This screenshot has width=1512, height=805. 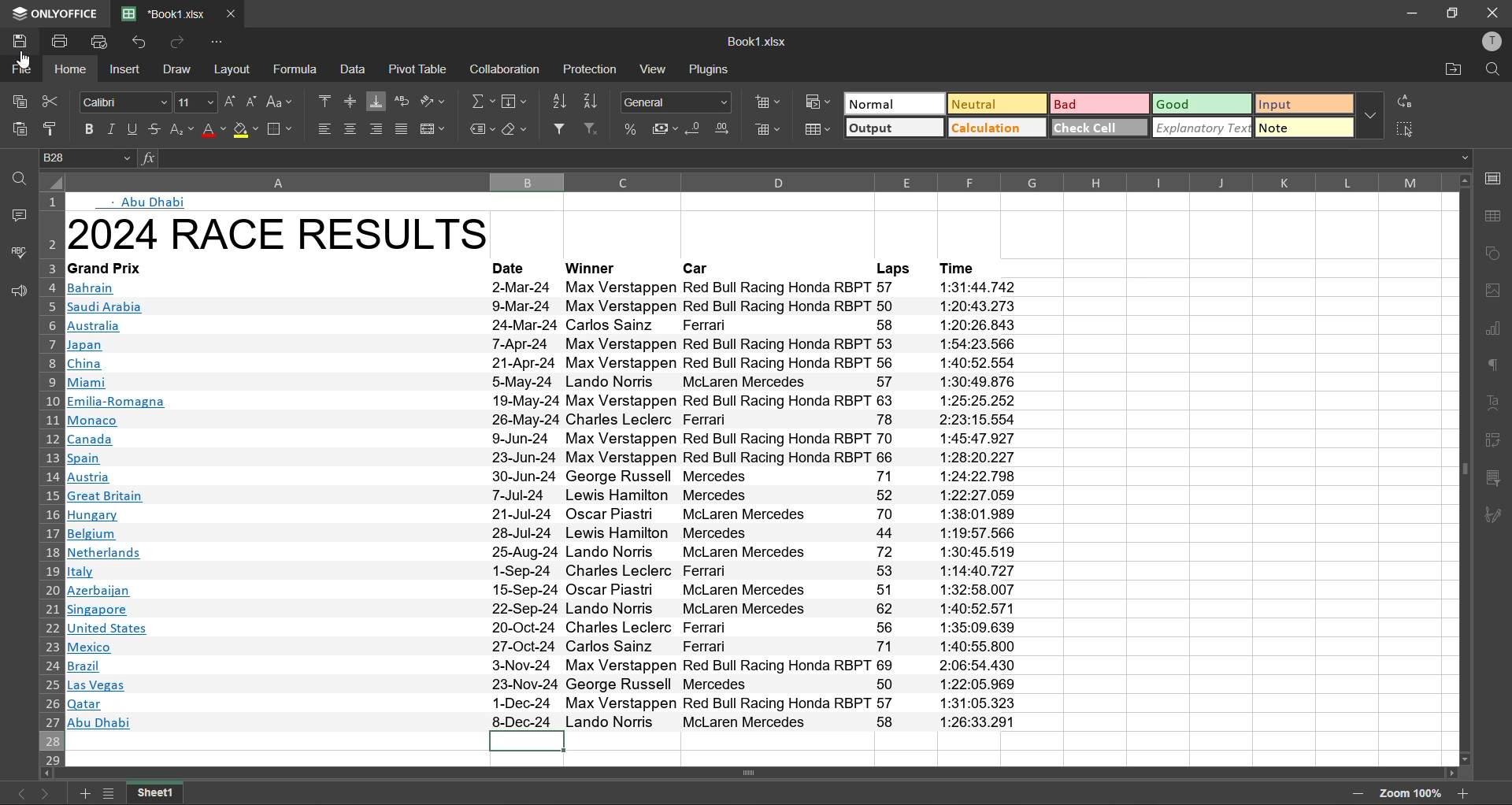 What do you see at coordinates (1496, 177) in the screenshot?
I see `call settings` at bounding box center [1496, 177].